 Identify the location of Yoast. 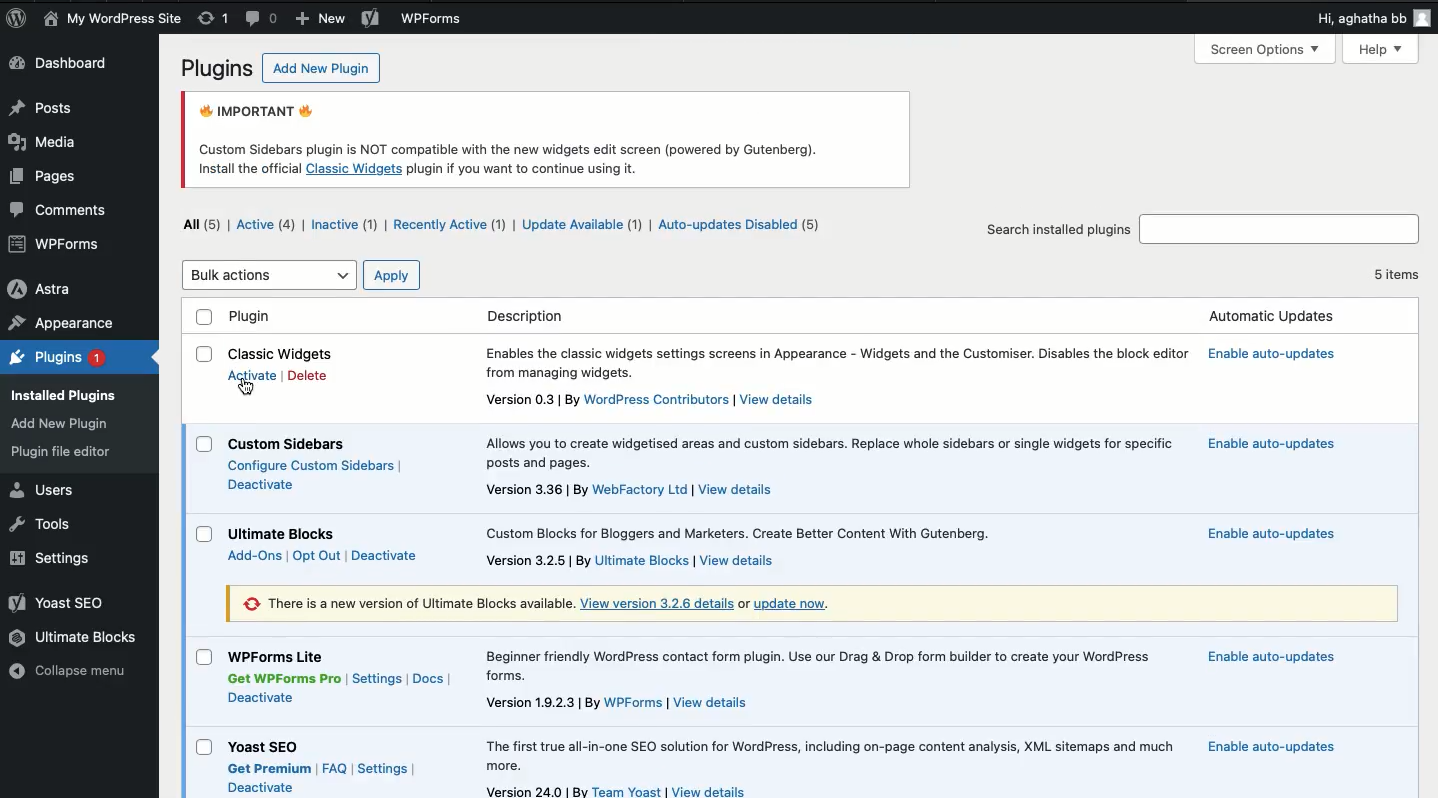
(371, 20).